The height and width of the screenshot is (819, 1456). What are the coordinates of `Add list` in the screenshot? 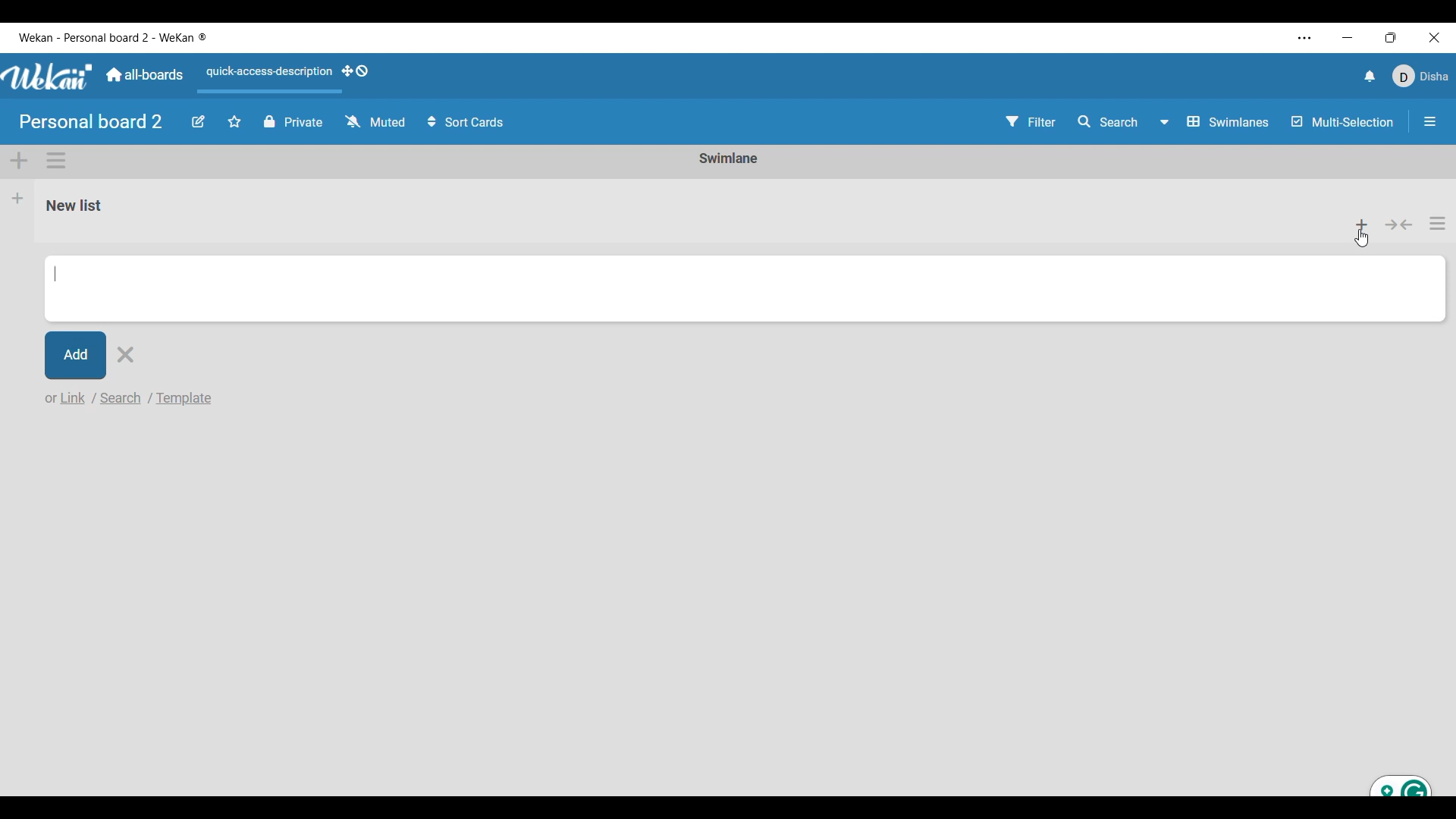 It's located at (18, 198).